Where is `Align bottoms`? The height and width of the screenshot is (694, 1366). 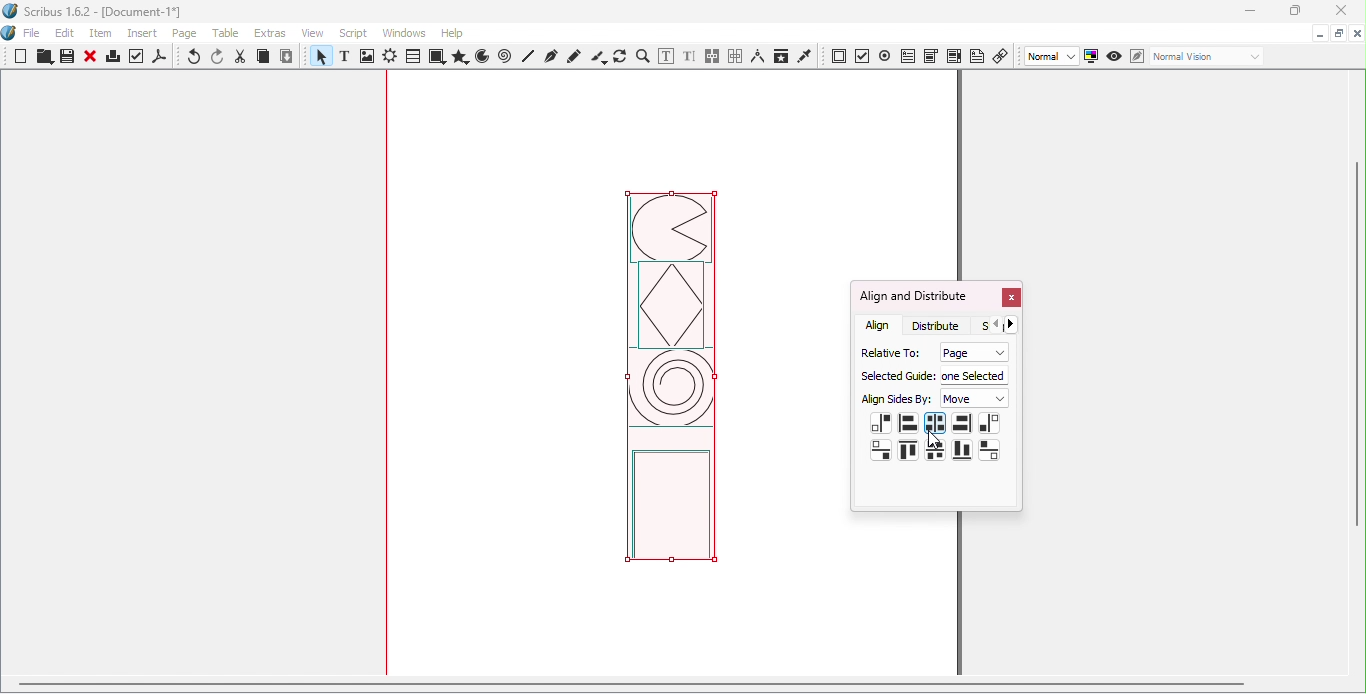 Align bottoms is located at coordinates (961, 450).